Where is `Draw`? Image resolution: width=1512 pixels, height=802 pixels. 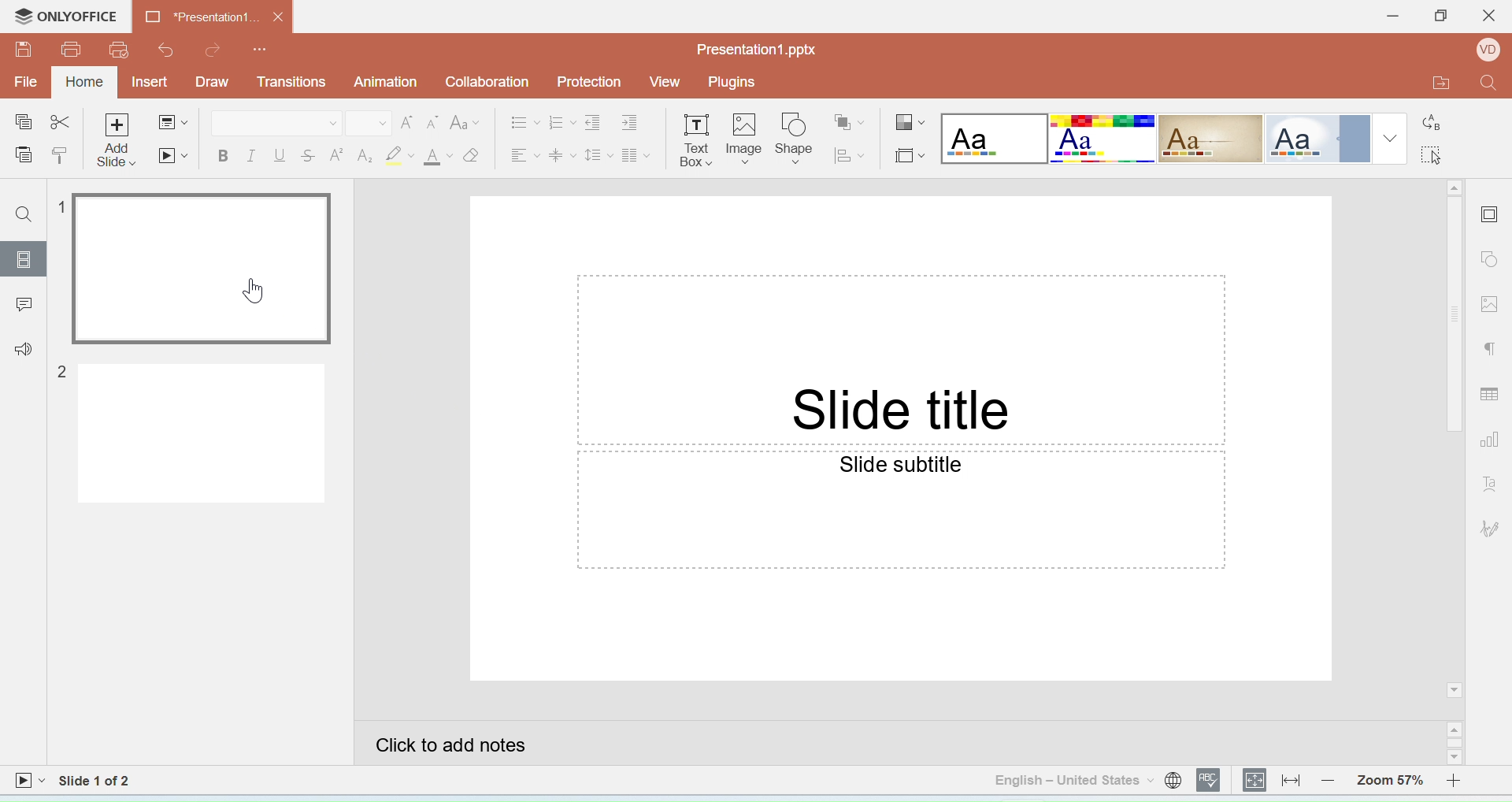
Draw is located at coordinates (212, 83).